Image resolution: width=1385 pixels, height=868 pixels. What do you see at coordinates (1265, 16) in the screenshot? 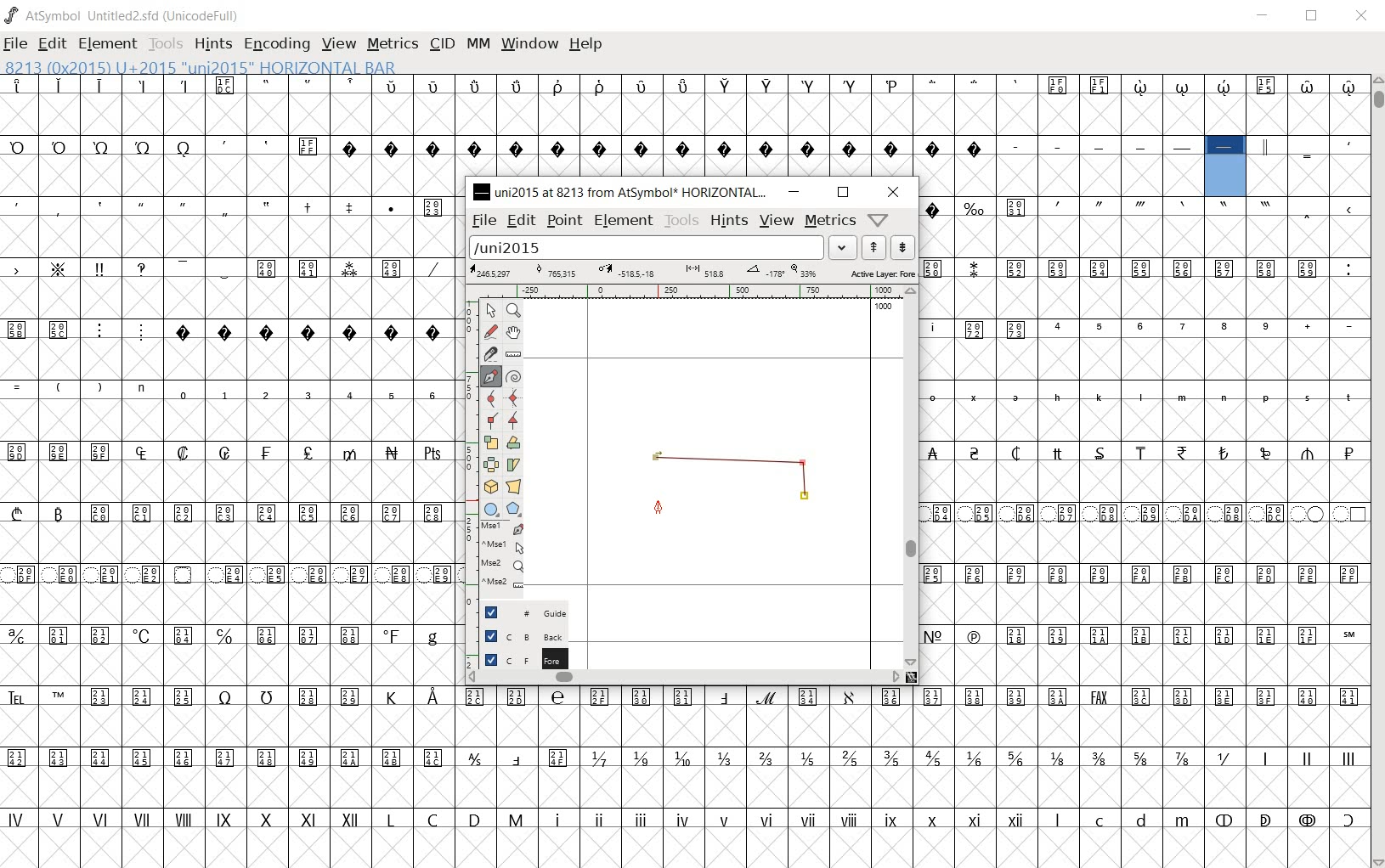
I see `MINIMIZE` at bounding box center [1265, 16].